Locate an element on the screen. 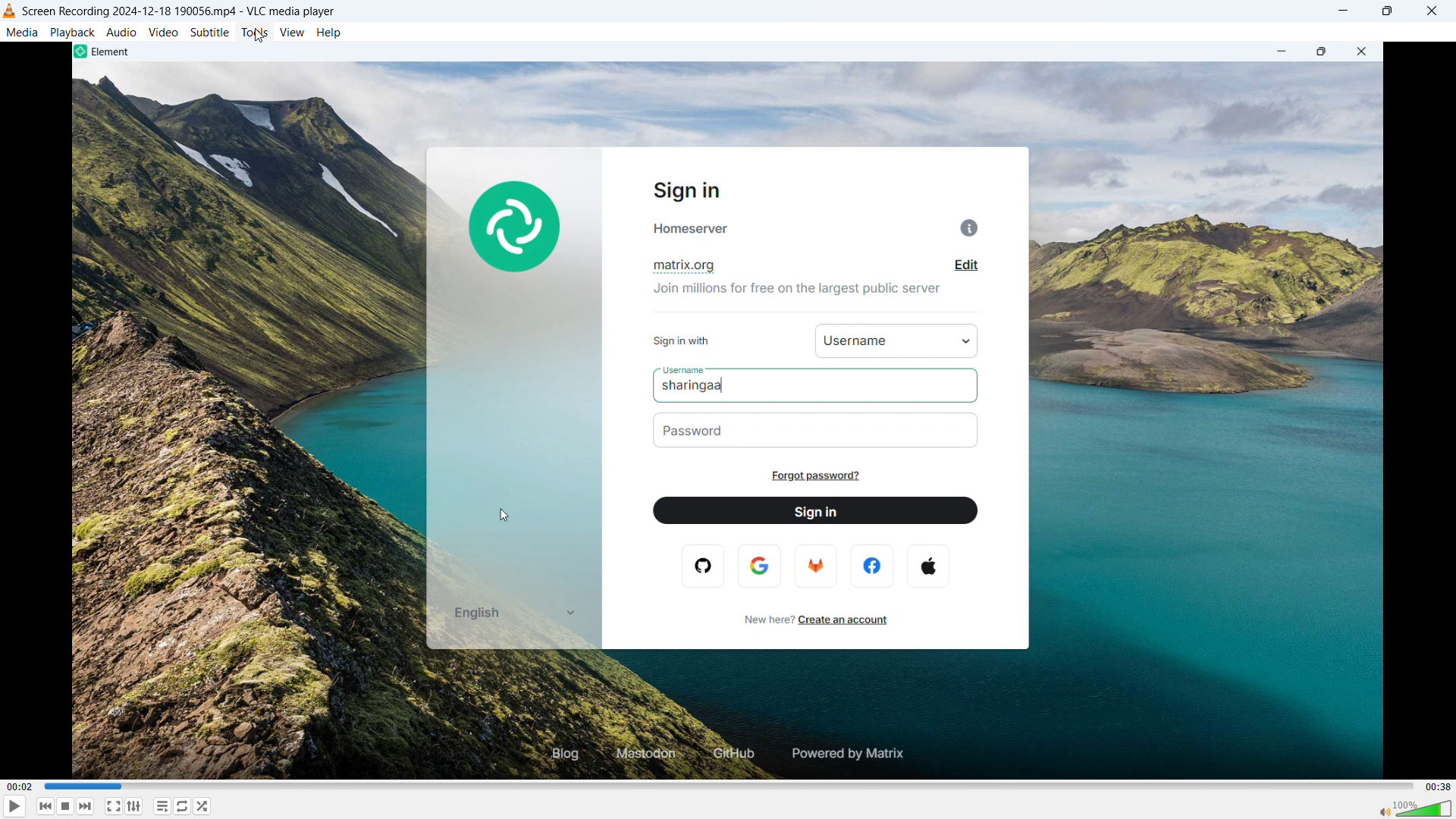 This screenshot has width=1456, height=819. username is located at coordinates (898, 339).